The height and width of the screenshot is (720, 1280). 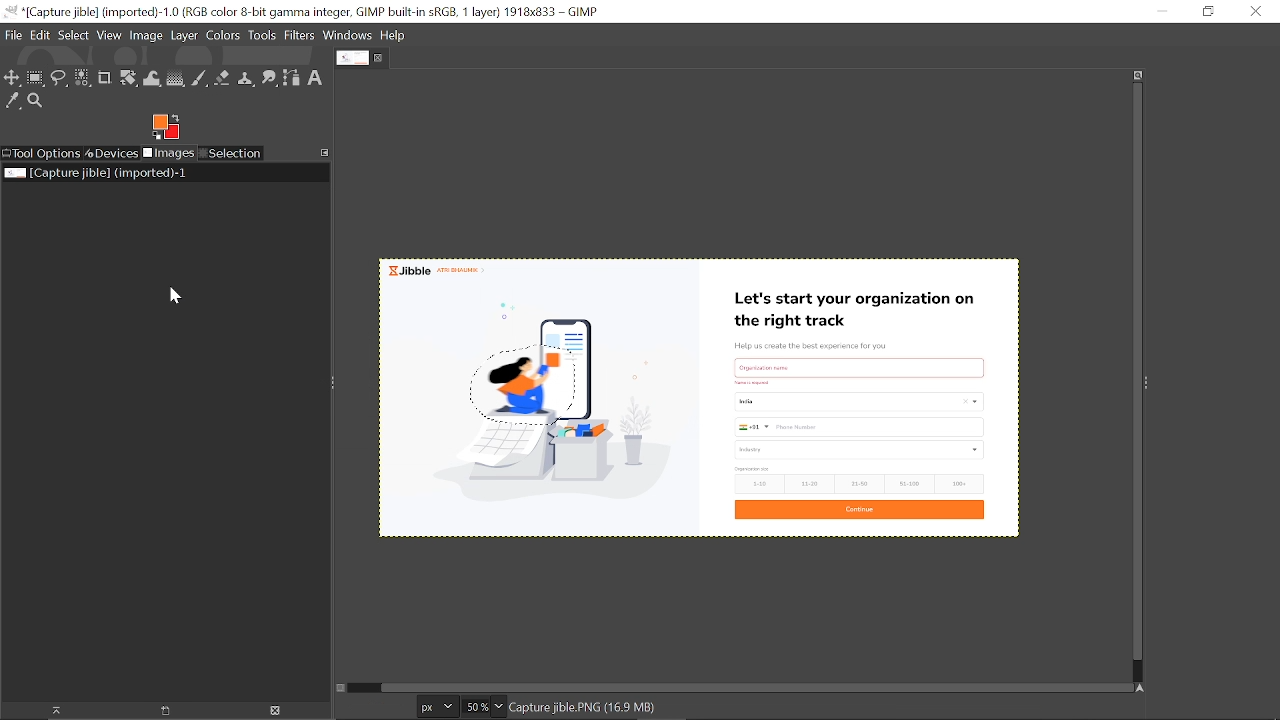 What do you see at coordinates (41, 154) in the screenshot?
I see `Tool options` at bounding box center [41, 154].